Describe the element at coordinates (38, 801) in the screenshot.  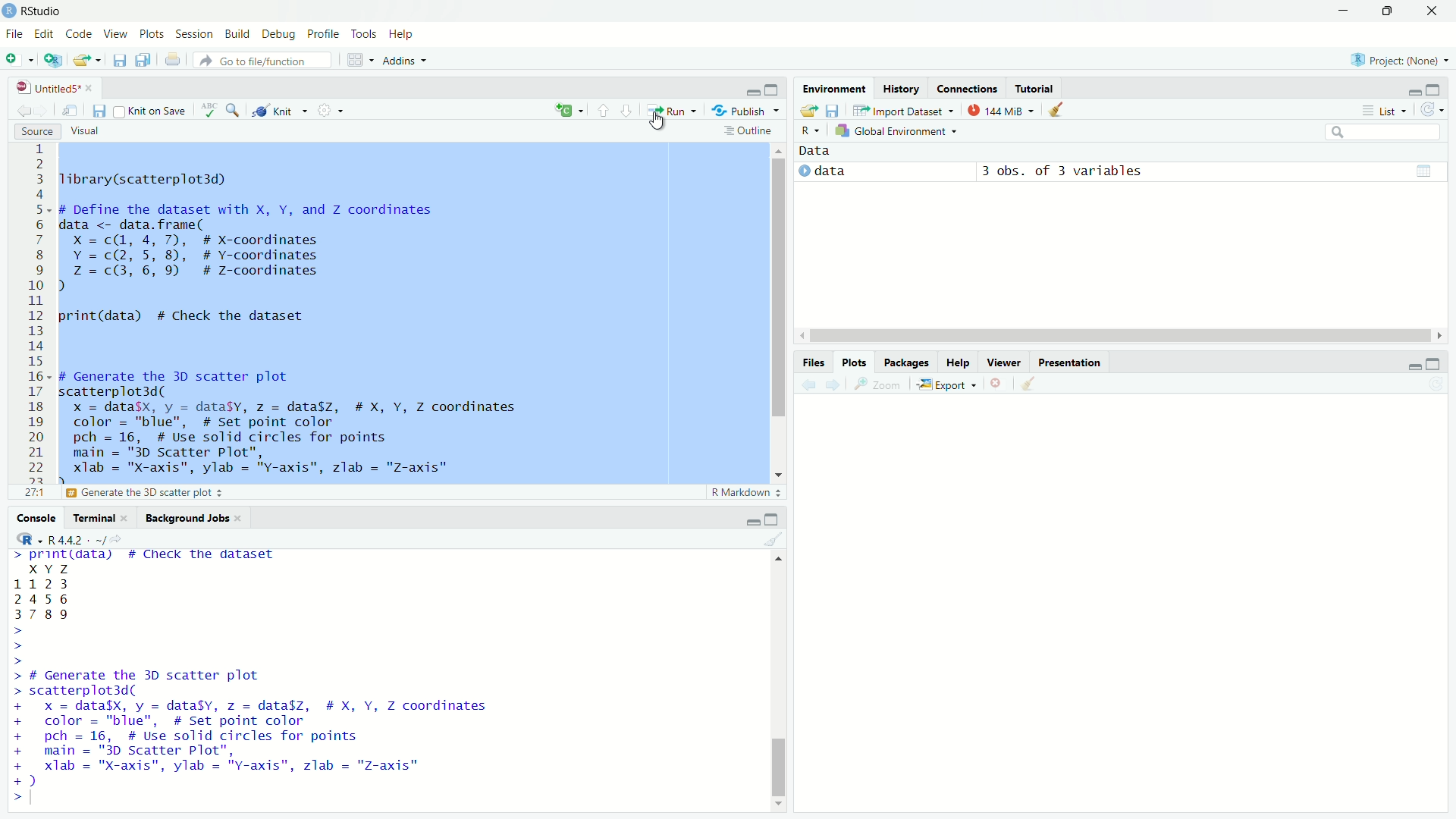
I see `typing cursor` at that location.